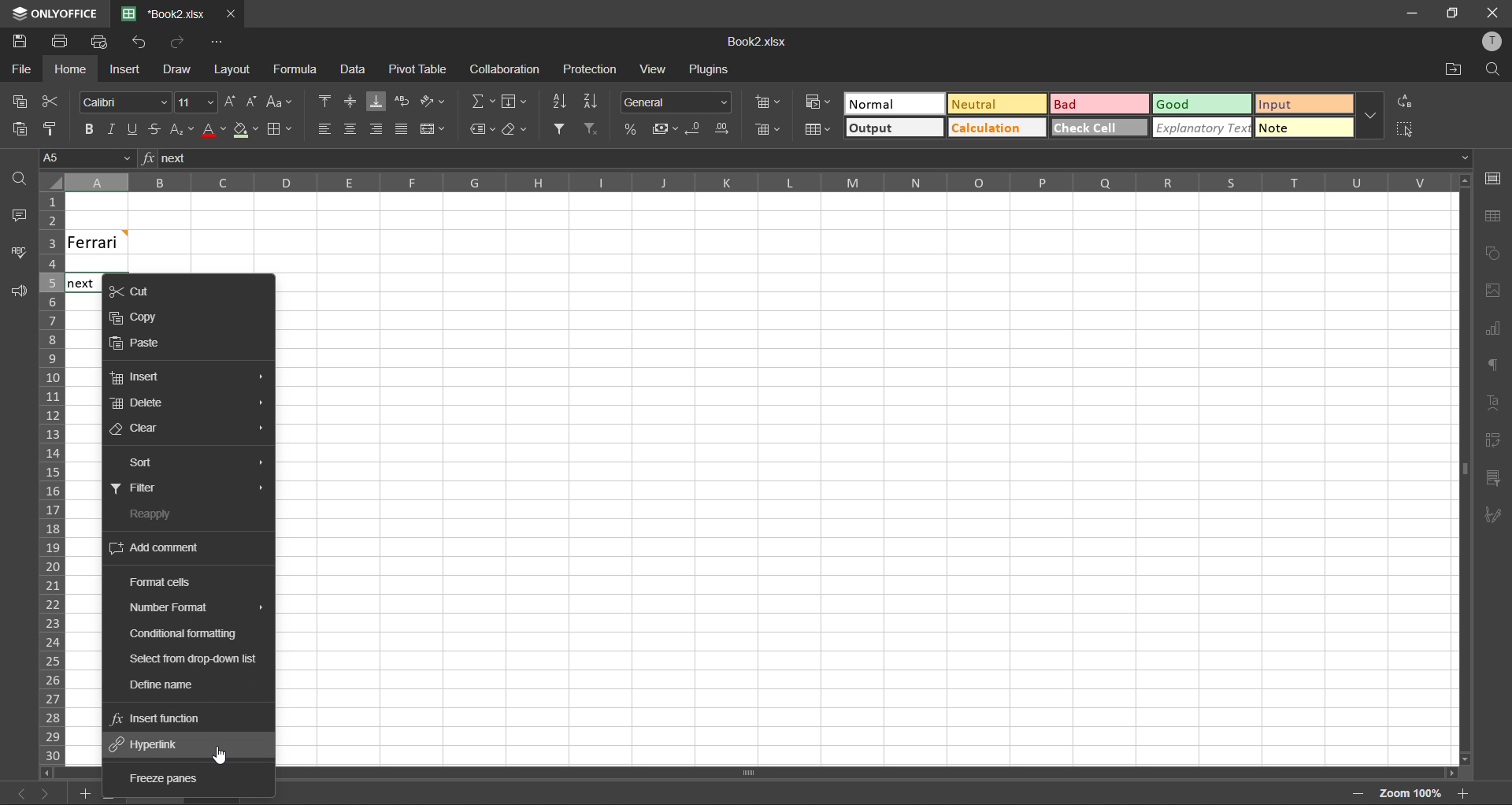  I want to click on filter, so click(142, 489).